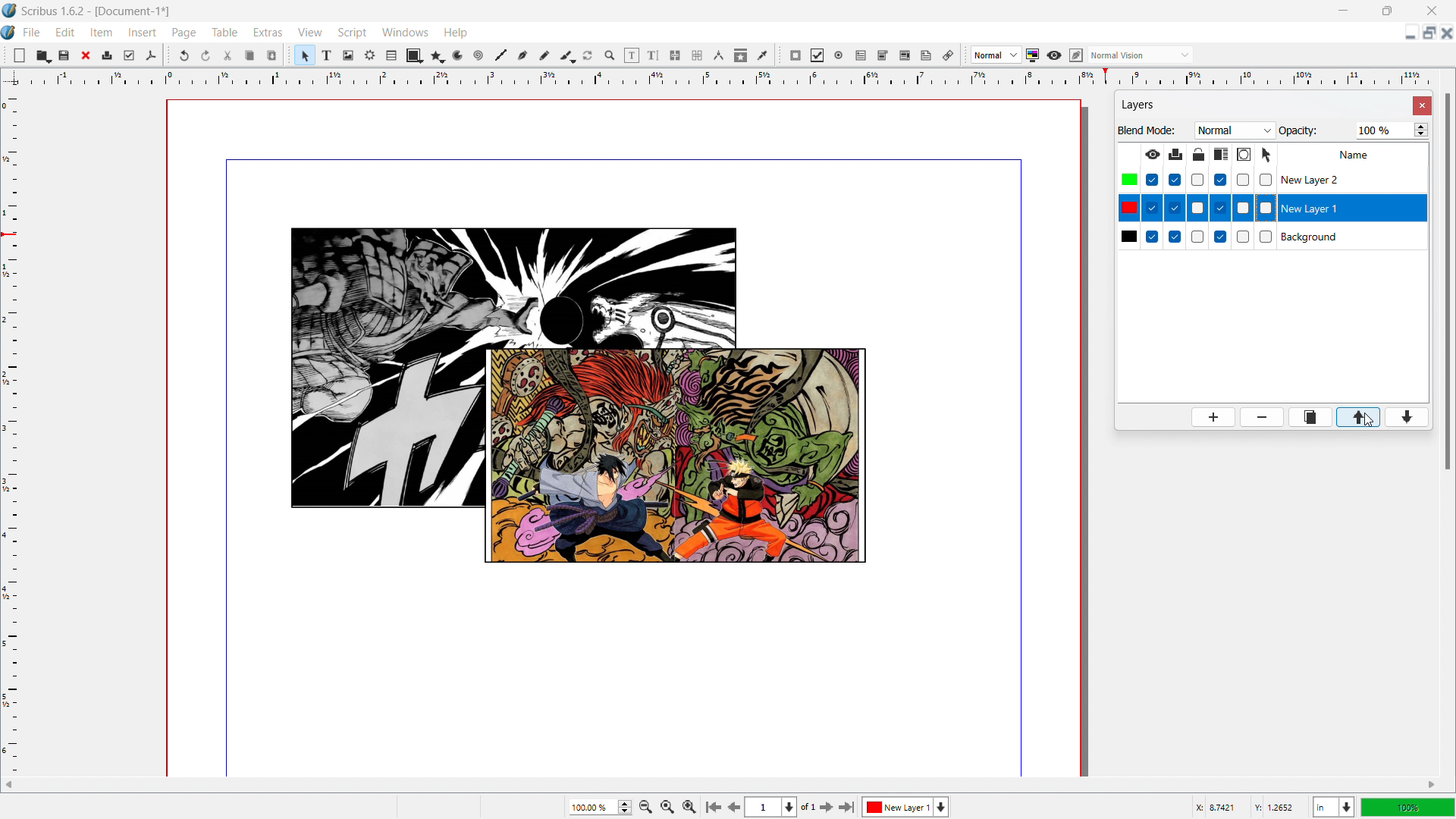 This screenshot has width=1456, height=819. I want to click on table, so click(224, 32).